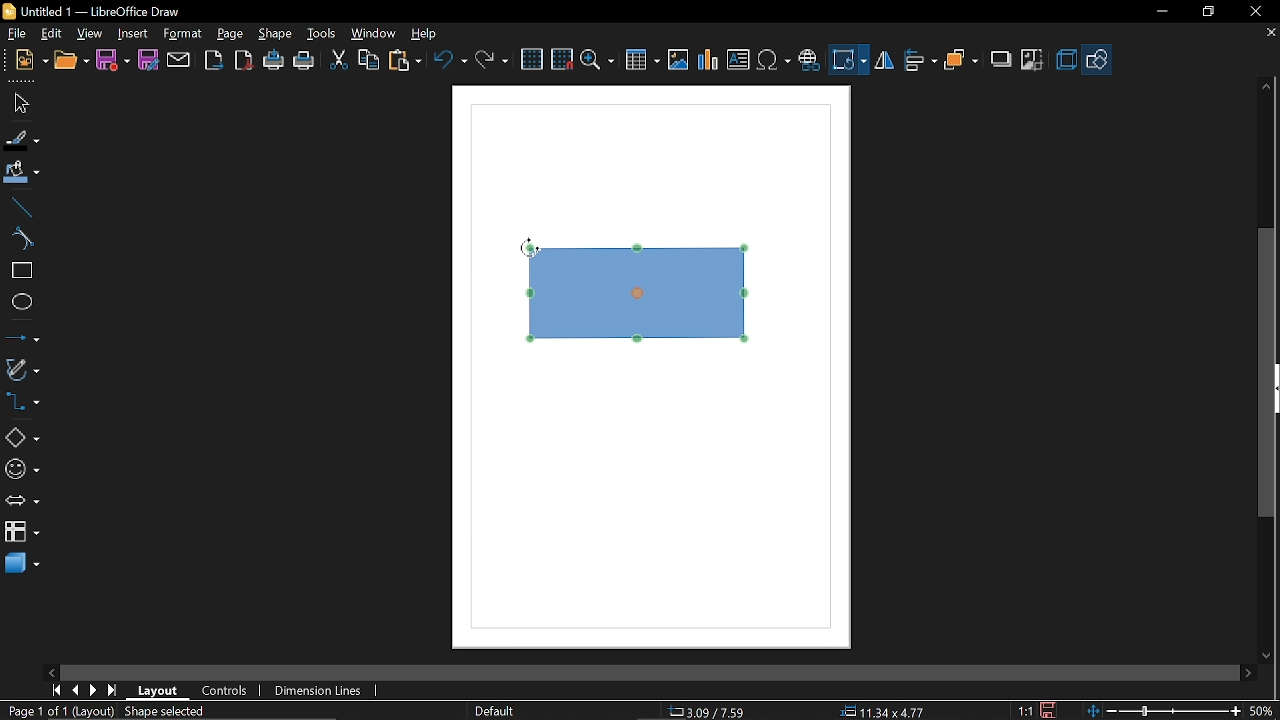 This screenshot has height=720, width=1280. What do you see at coordinates (1161, 12) in the screenshot?
I see `minimize` at bounding box center [1161, 12].